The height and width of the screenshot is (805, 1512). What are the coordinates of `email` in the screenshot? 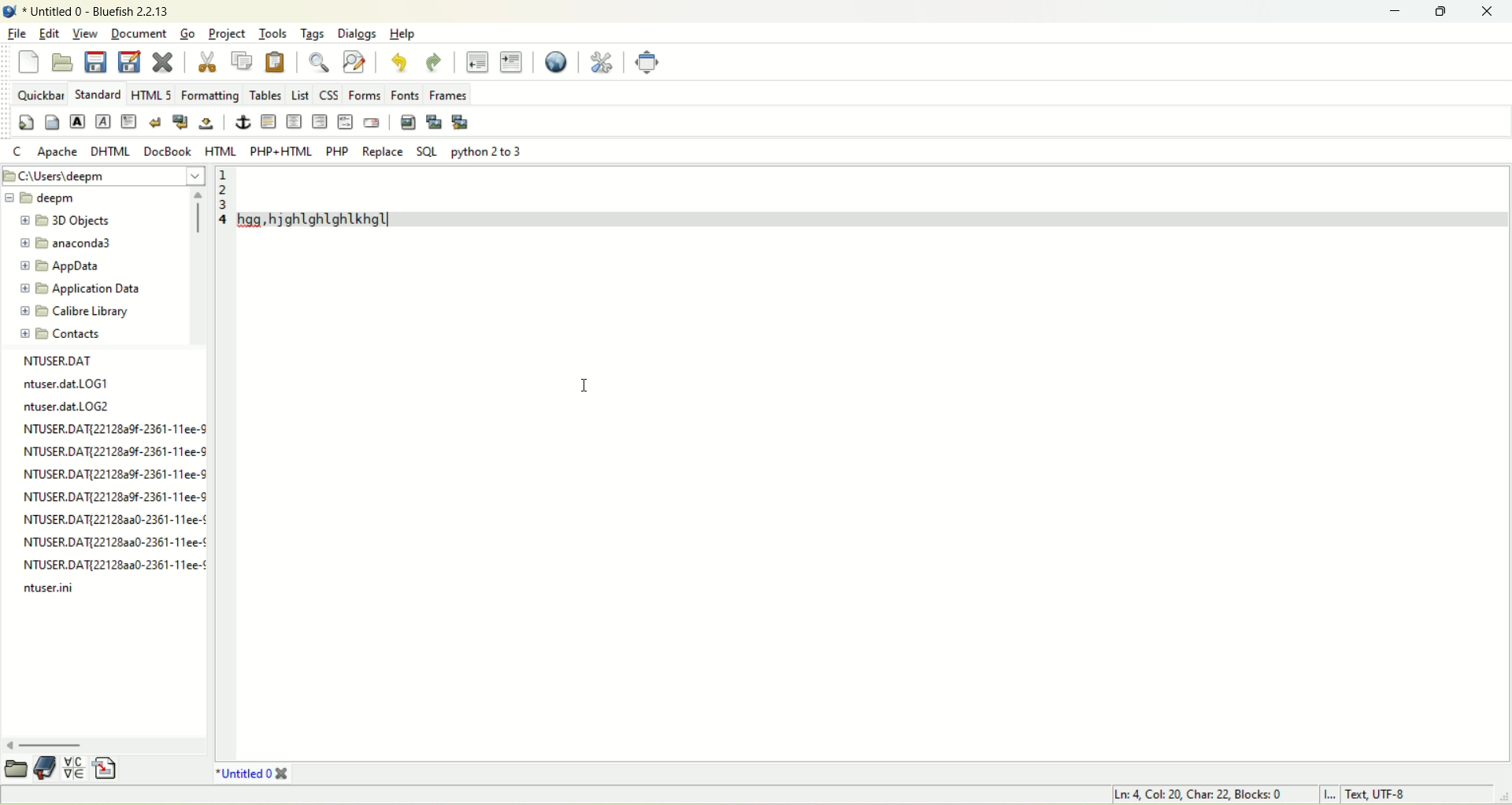 It's located at (371, 124).